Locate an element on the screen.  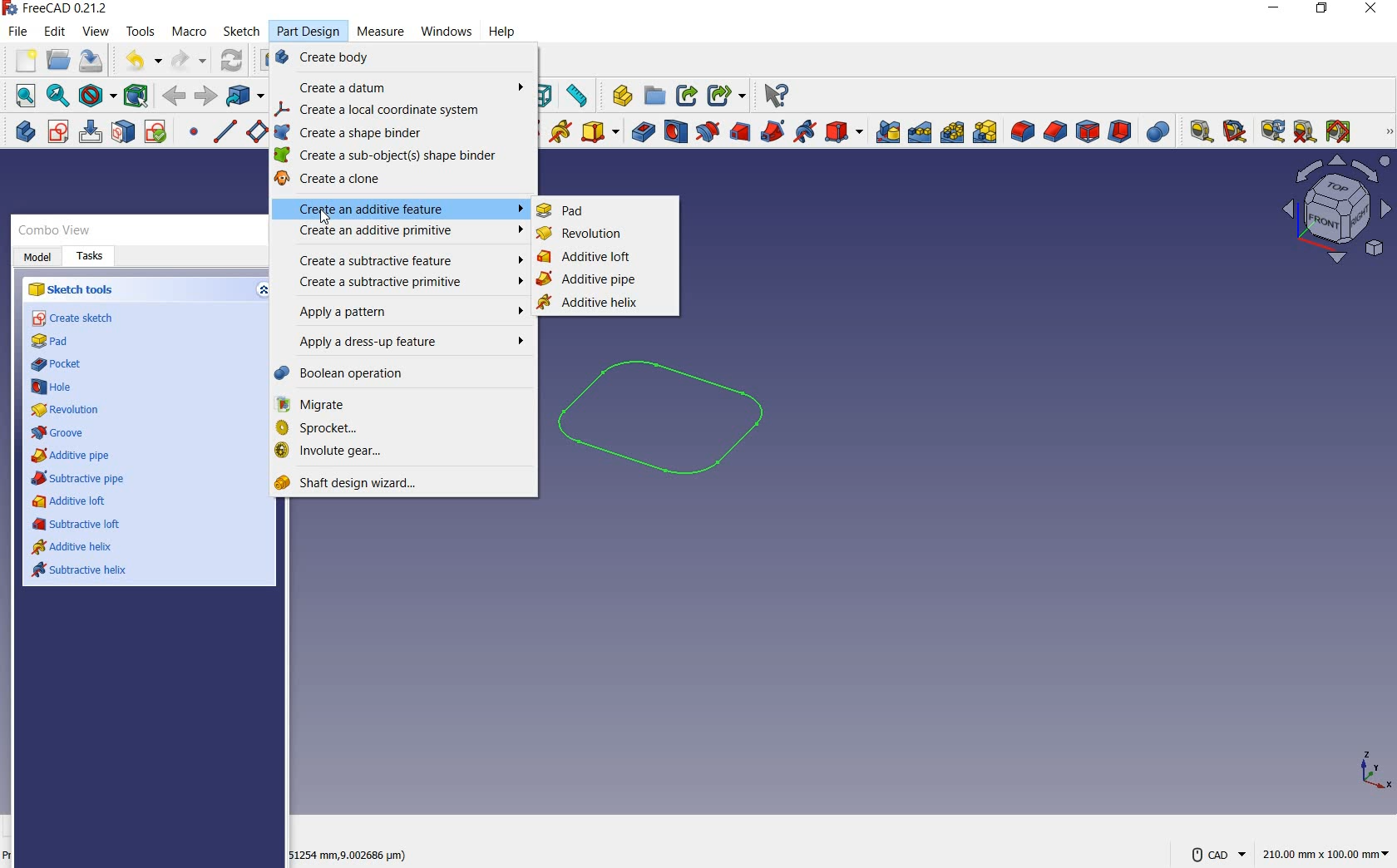
bounding box is located at coordinates (136, 94).